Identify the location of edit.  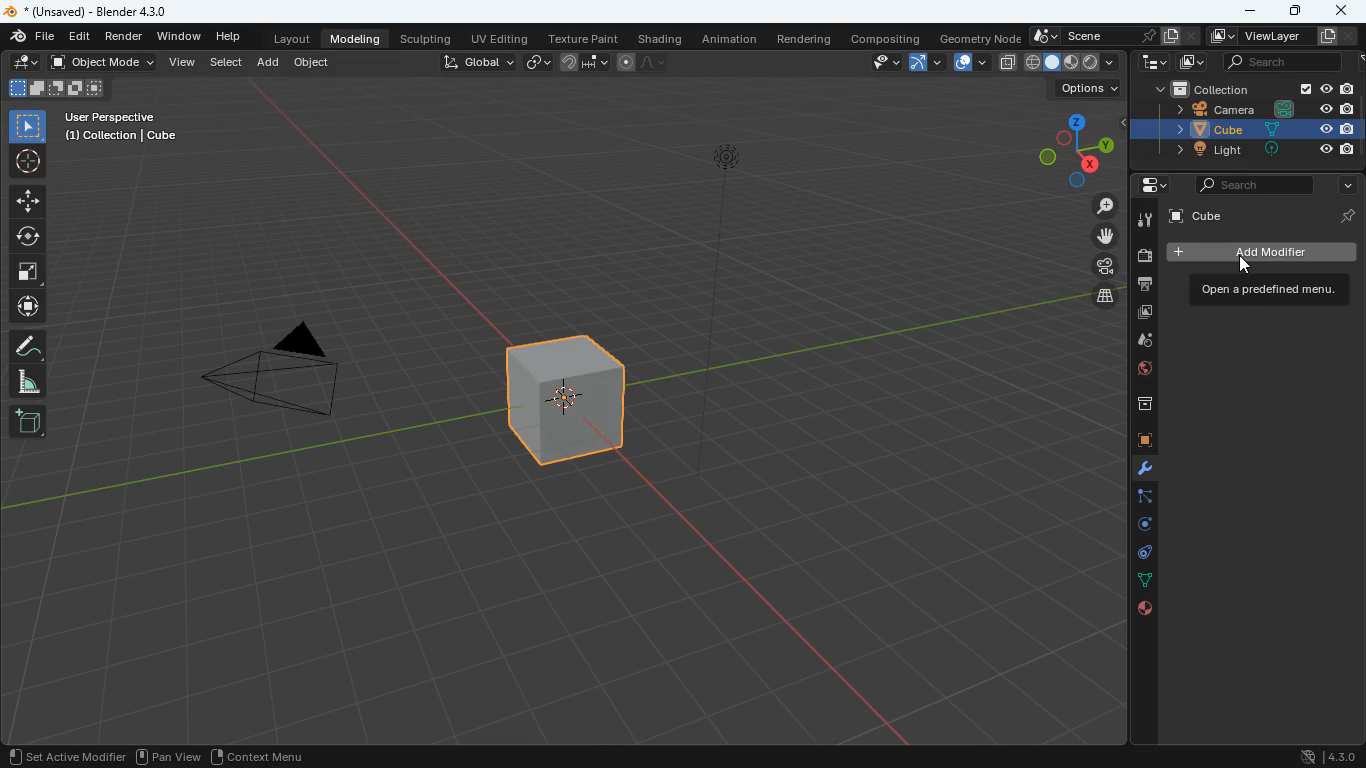
(79, 36).